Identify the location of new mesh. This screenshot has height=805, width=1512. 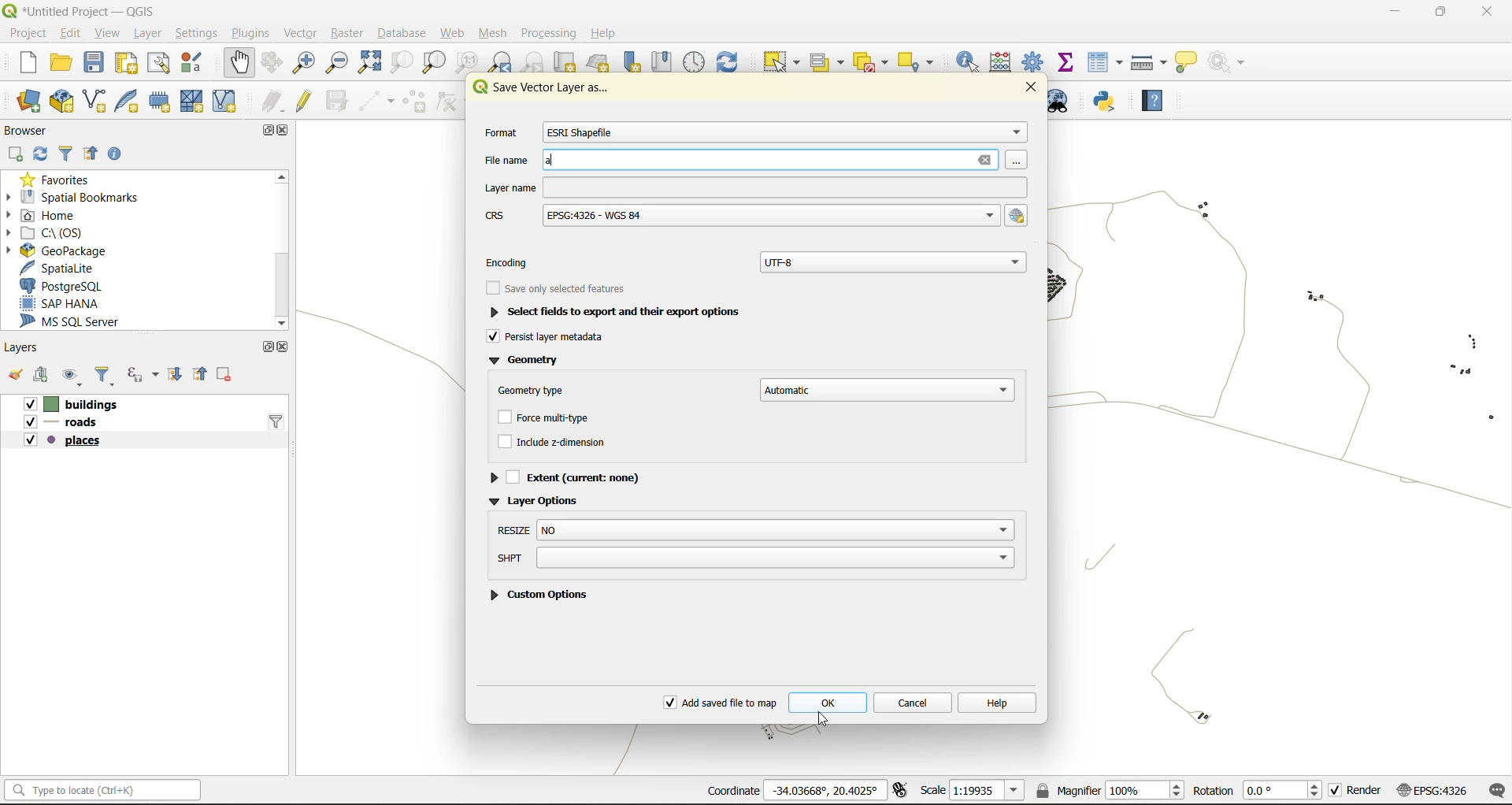
(191, 101).